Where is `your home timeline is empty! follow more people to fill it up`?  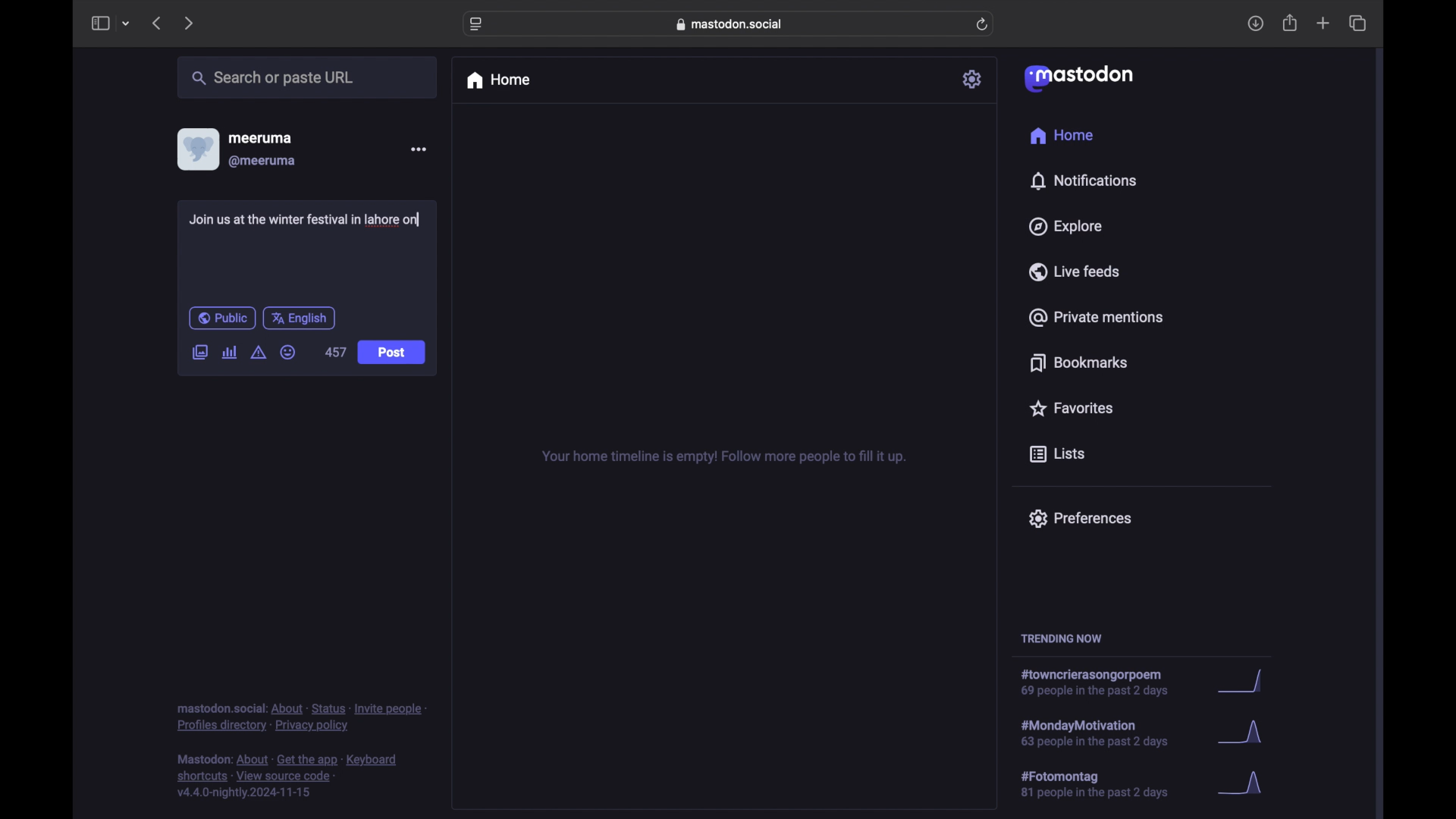 your home timeline is empty! follow more people to fill it up is located at coordinates (723, 457).